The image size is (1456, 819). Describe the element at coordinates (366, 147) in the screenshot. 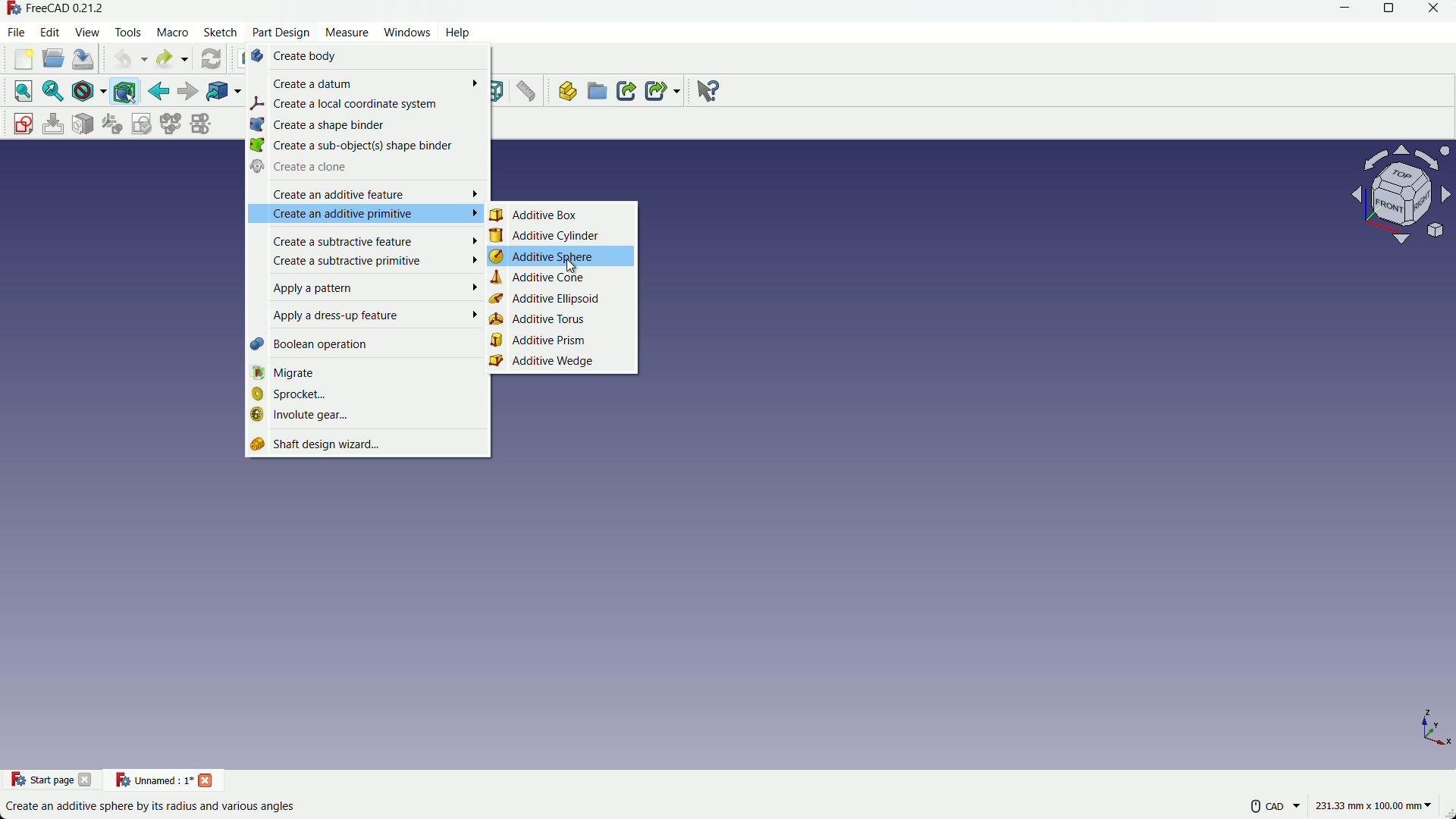

I see `create a sub objects sub binder` at that location.